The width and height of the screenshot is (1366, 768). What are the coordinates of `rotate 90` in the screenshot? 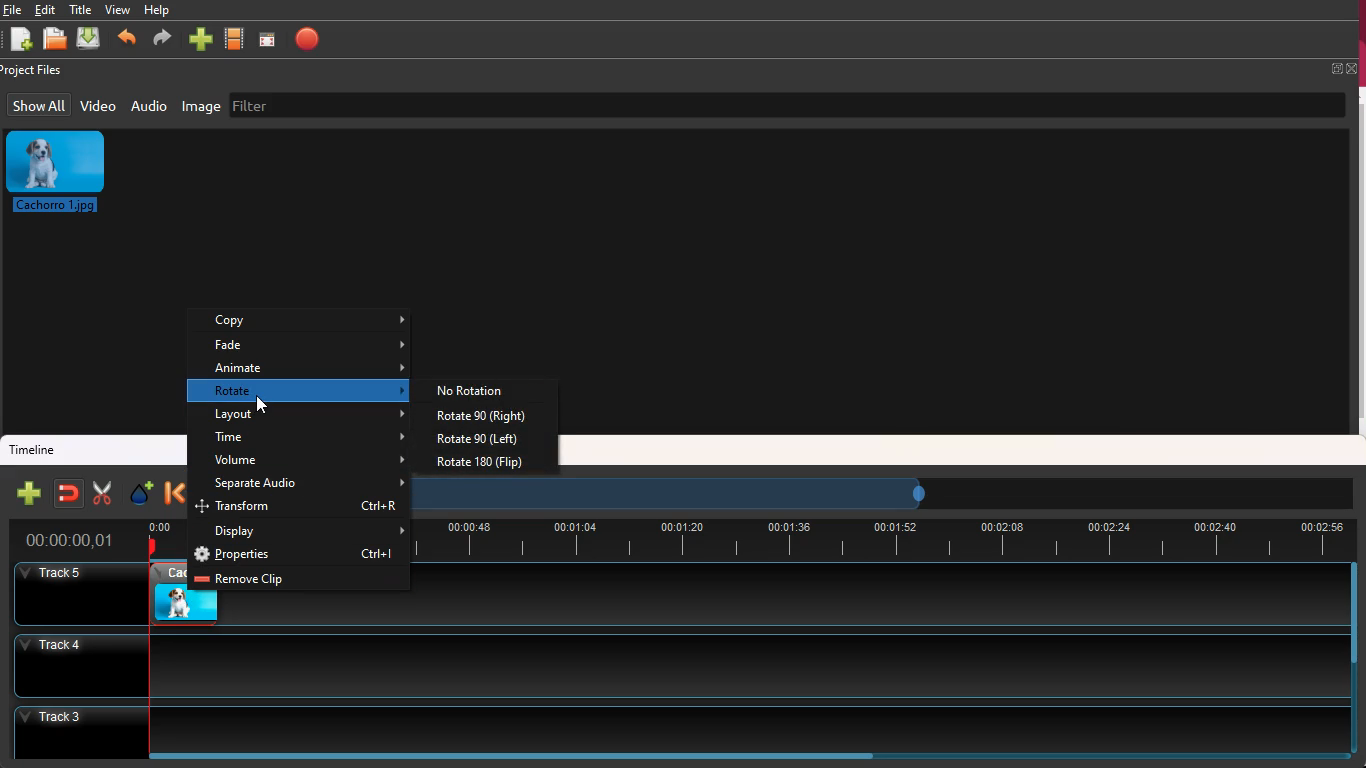 It's located at (493, 418).